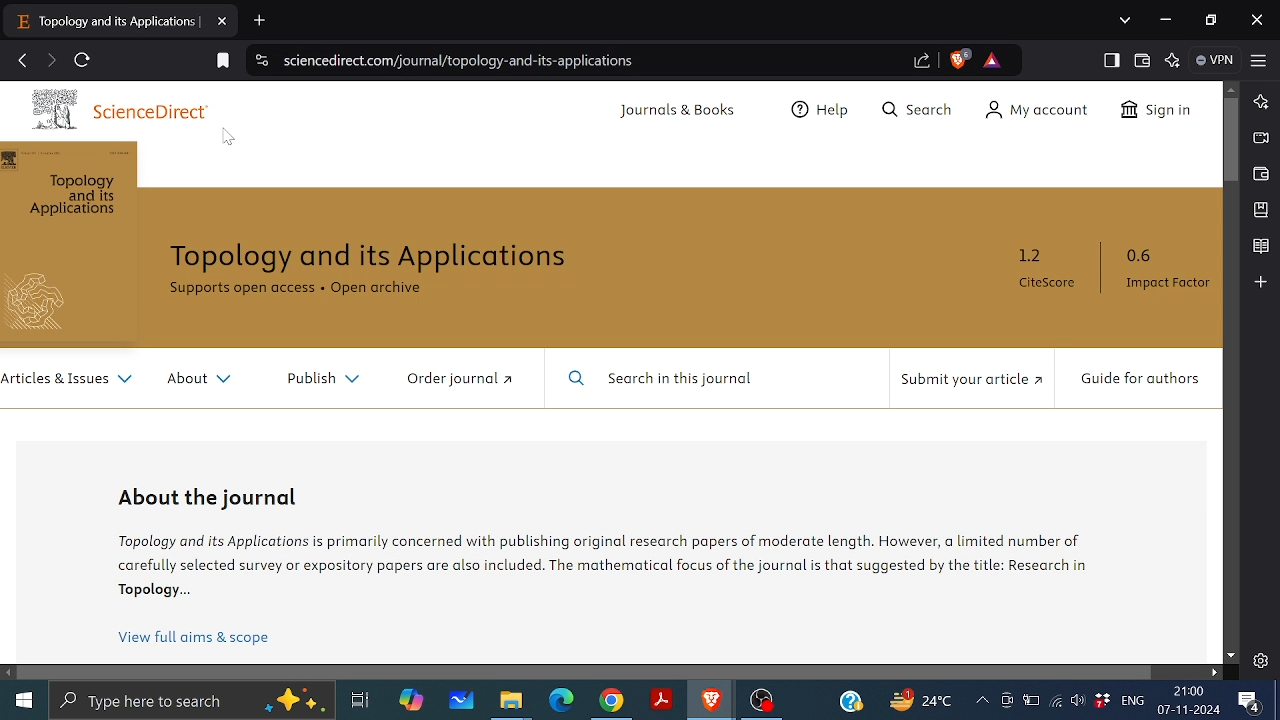 The image size is (1280, 720). What do you see at coordinates (1231, 655) in the screenshot?
I see `Move page downwards` at bounding box center [1231, 655].